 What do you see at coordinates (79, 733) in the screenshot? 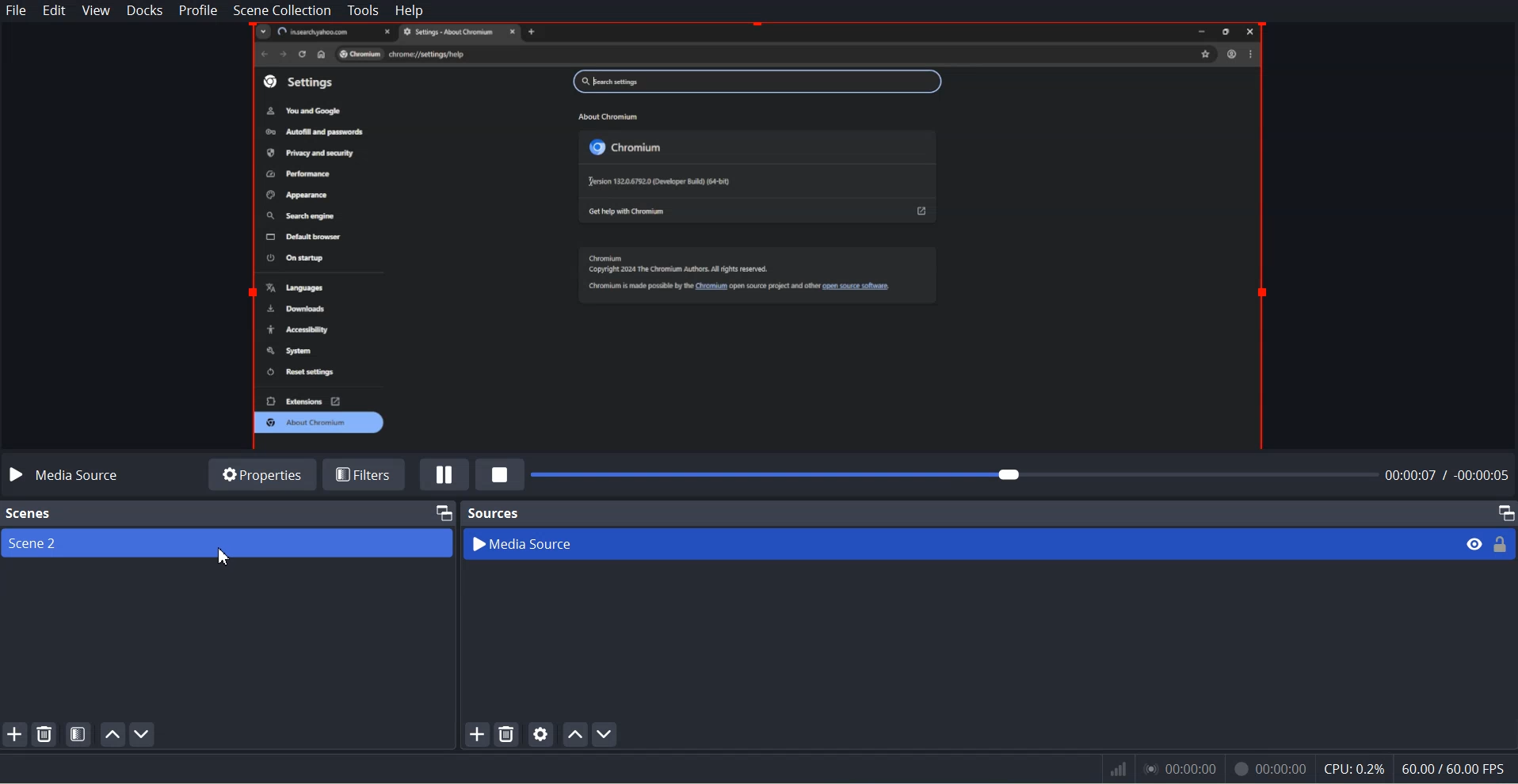
I see `Open Scene Filter` at bounding box center [79, 733].